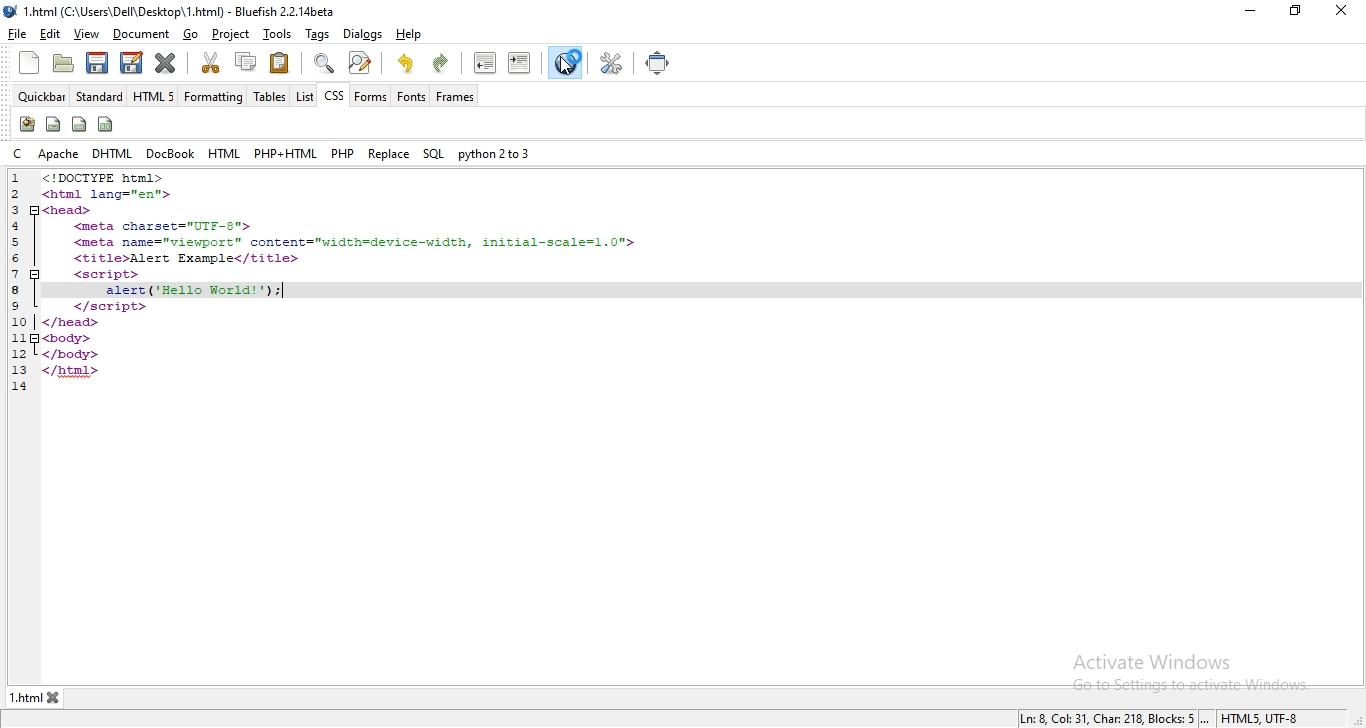  I want to click on save, so click(99, 63).